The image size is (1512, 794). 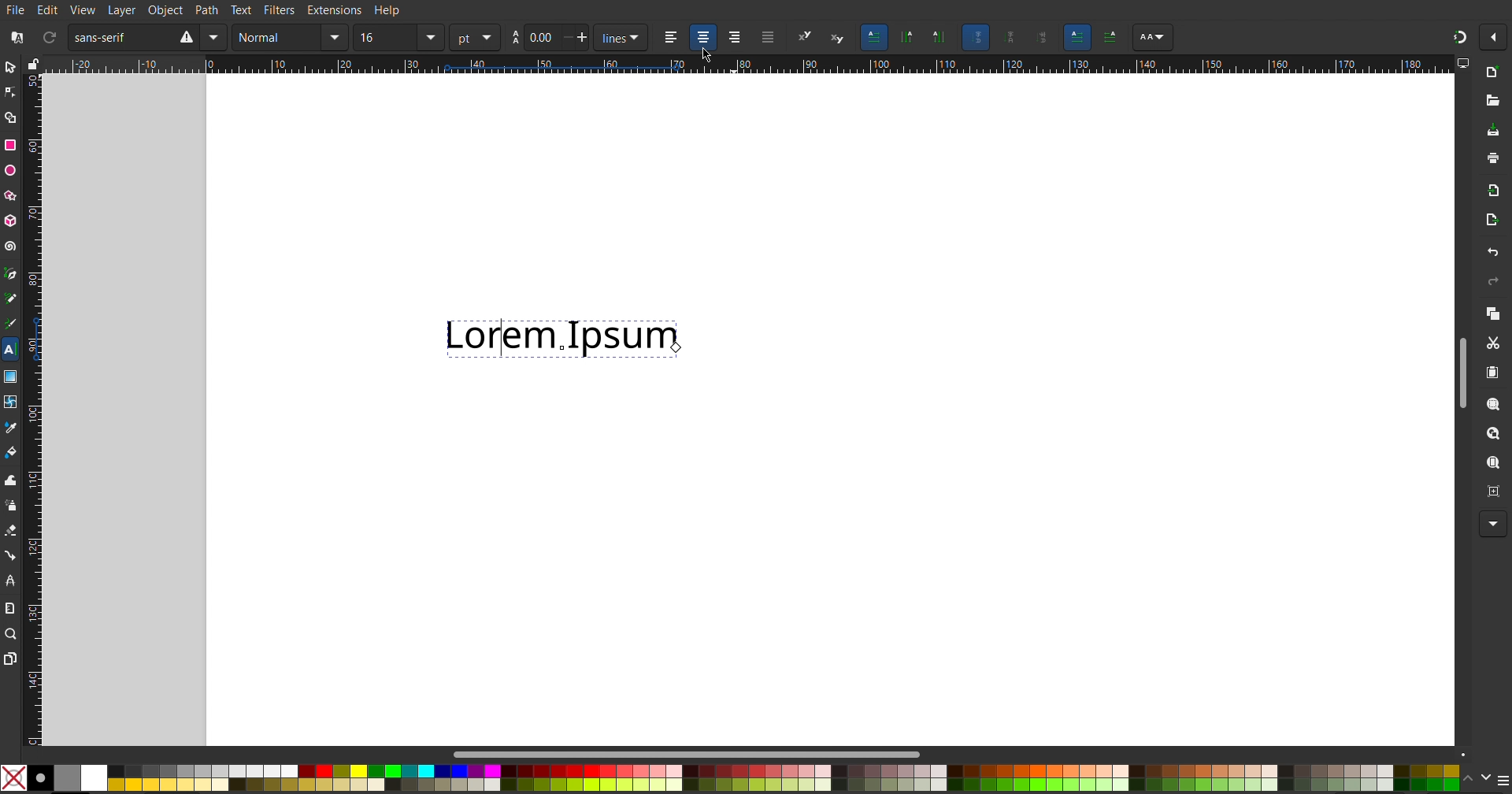 I want to click on Mesh Tool, so click(x=11, y=403).